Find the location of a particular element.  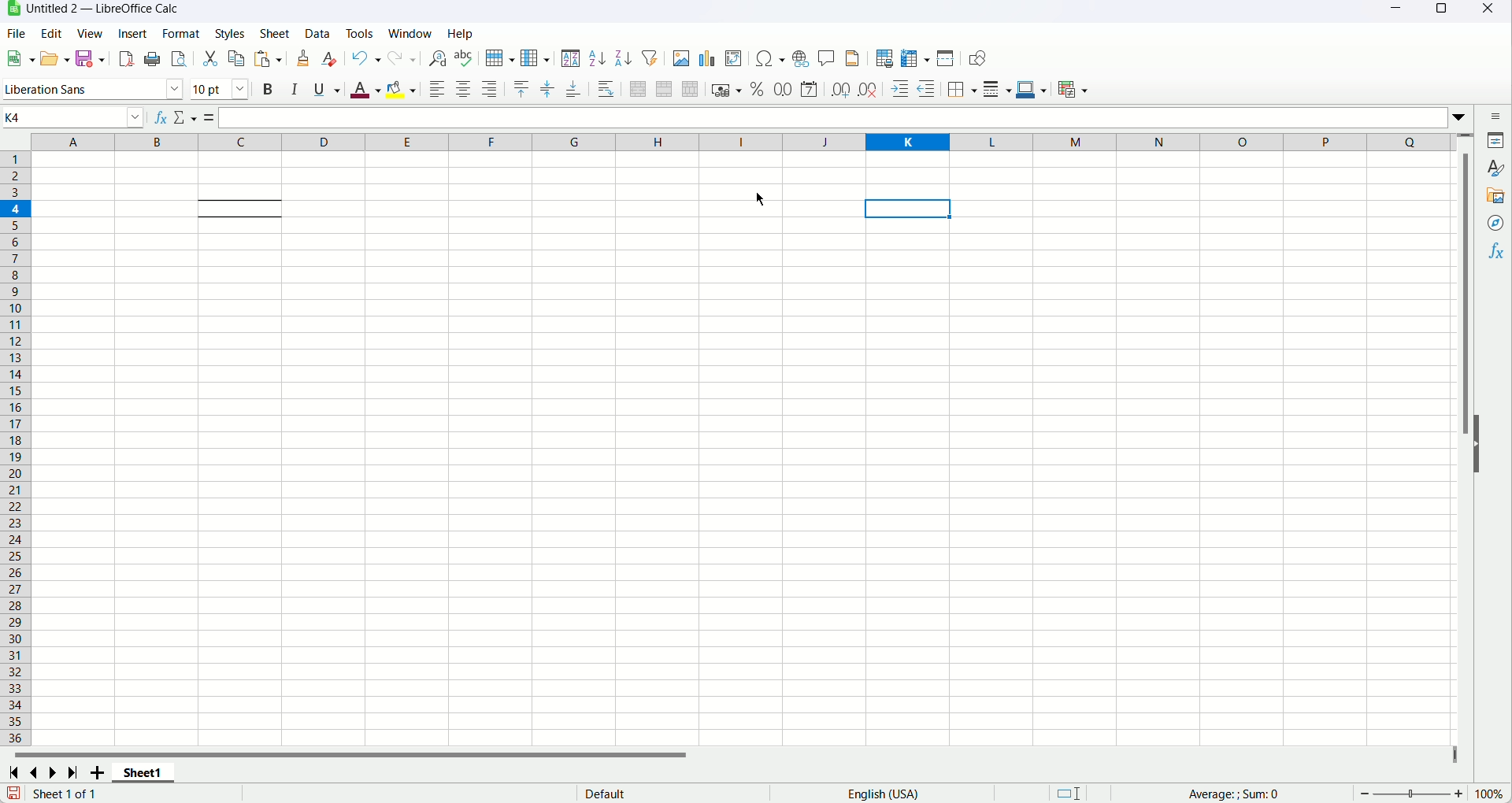

New is located at coordinates (20, 55).